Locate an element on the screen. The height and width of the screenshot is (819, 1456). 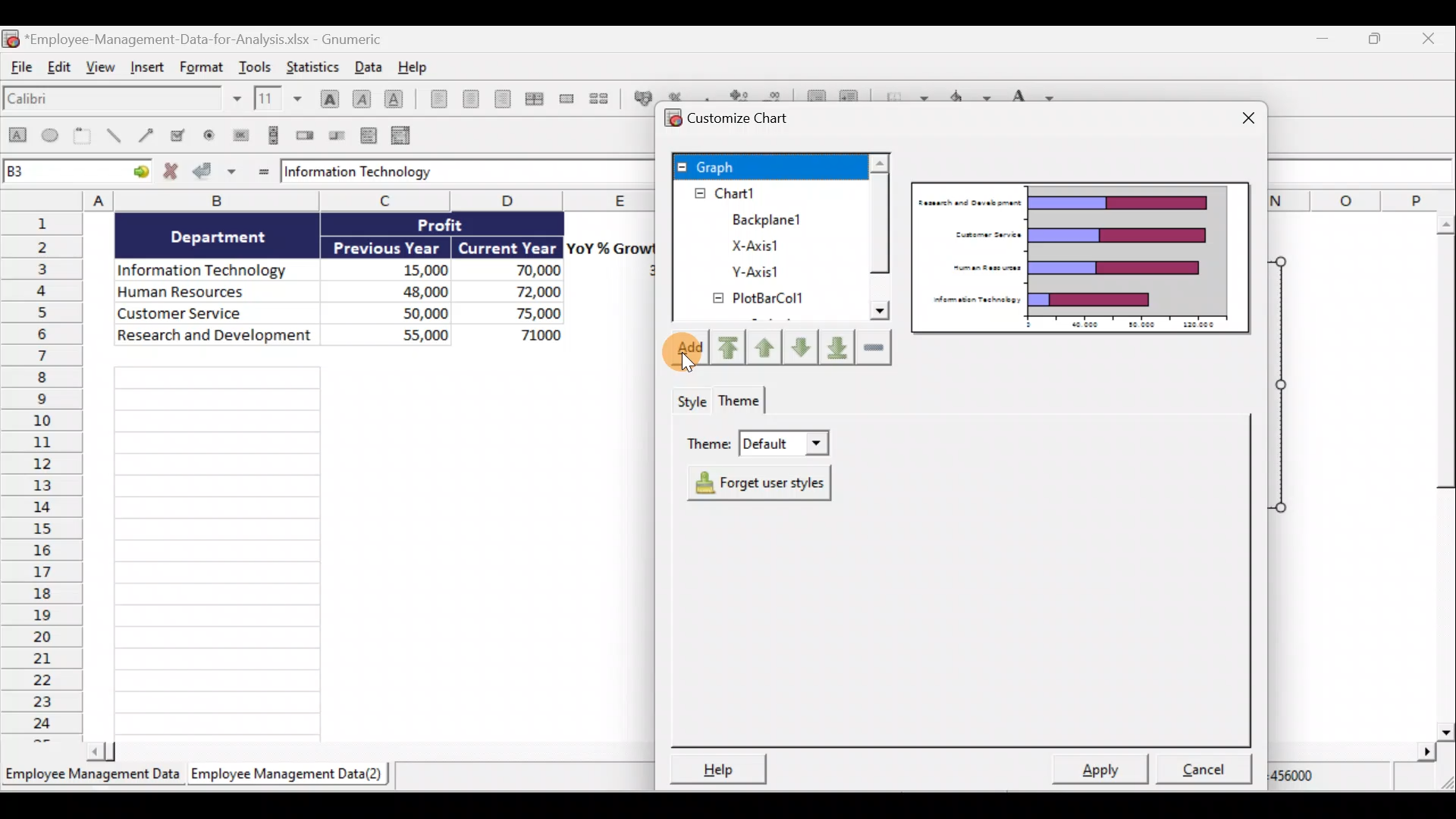
Cell name B3 is located at coordinates (61, 173).